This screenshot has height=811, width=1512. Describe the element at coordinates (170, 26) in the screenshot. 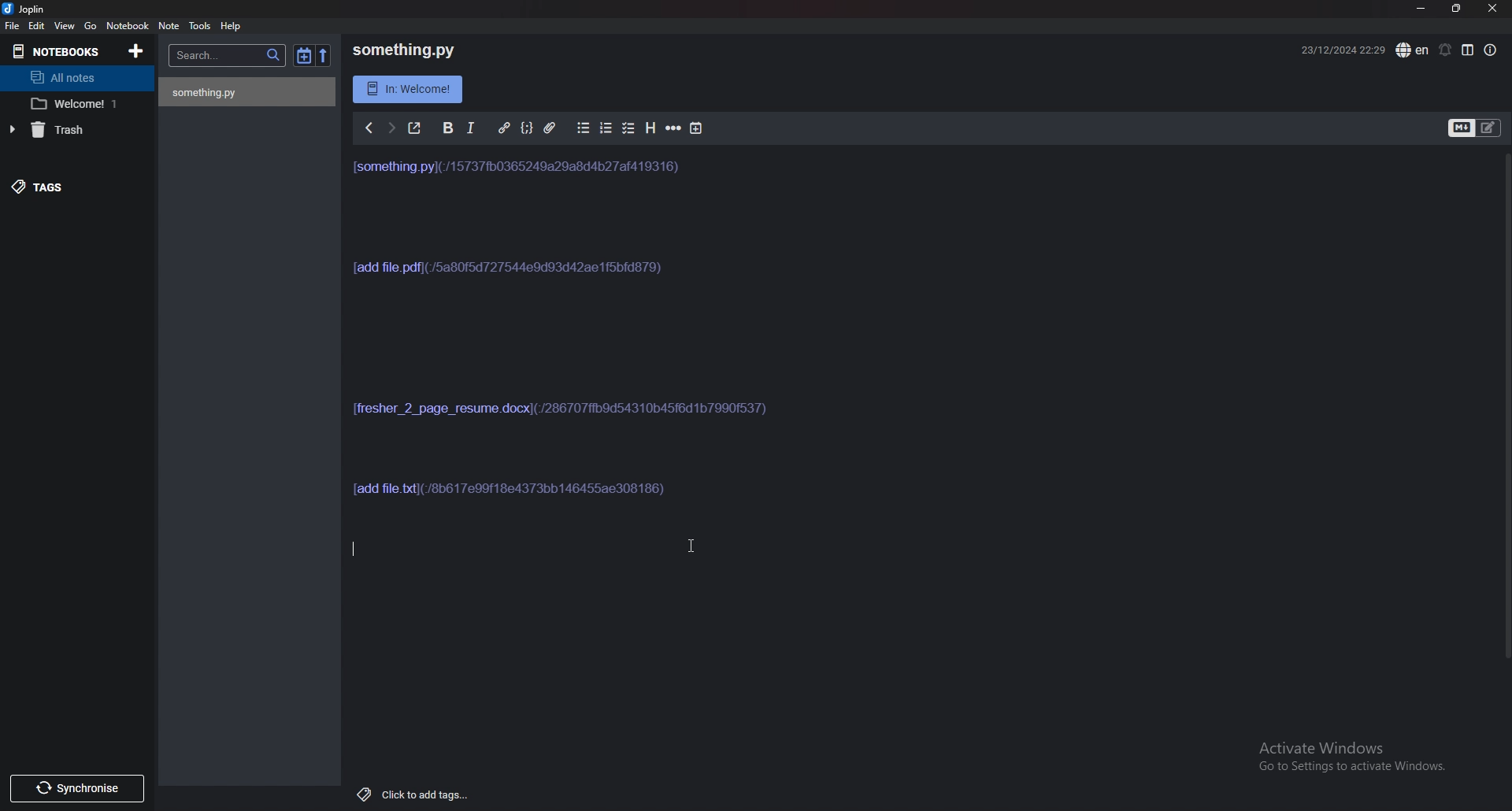

I see `note` at that location.